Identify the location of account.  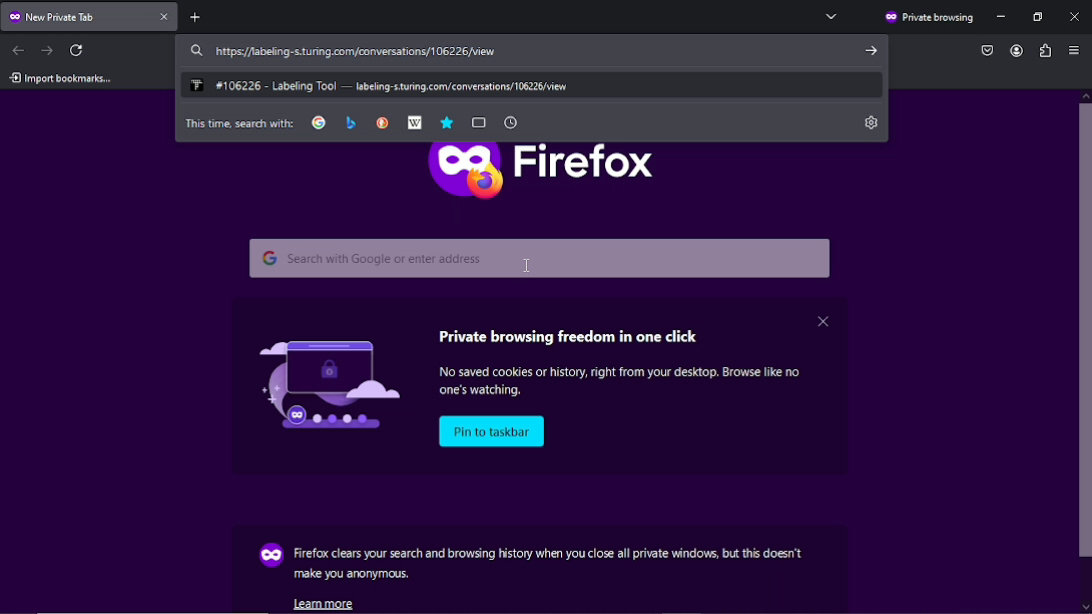
(1014, 51).